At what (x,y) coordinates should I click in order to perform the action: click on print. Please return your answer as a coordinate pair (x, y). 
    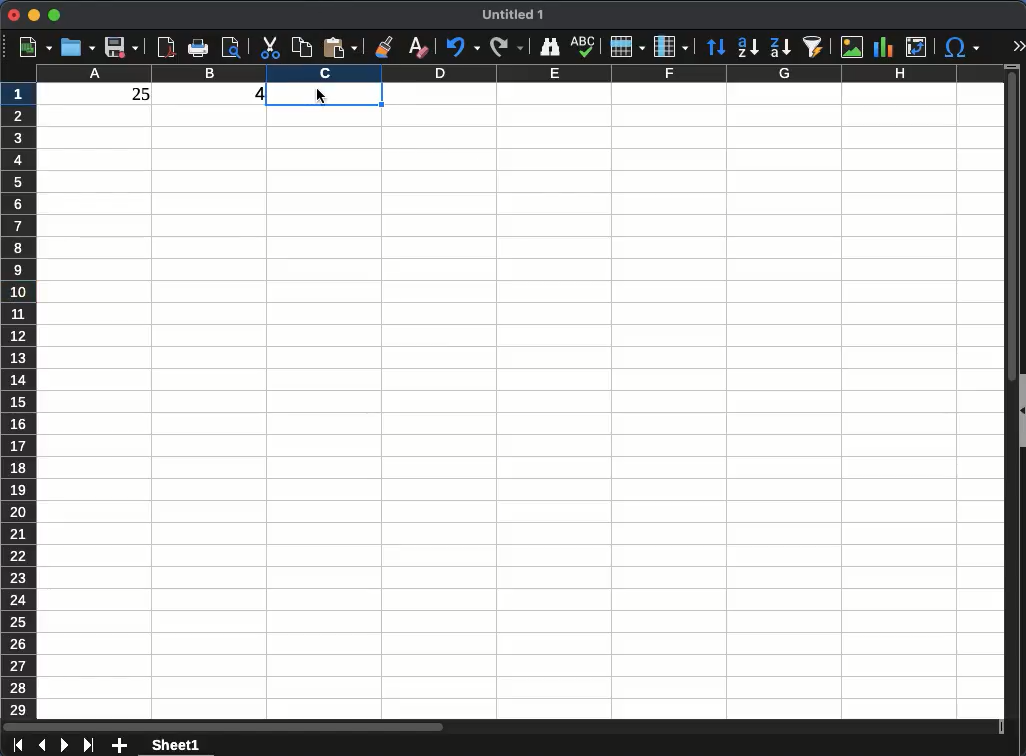
    Looking at the image, I should click on (199, 48).